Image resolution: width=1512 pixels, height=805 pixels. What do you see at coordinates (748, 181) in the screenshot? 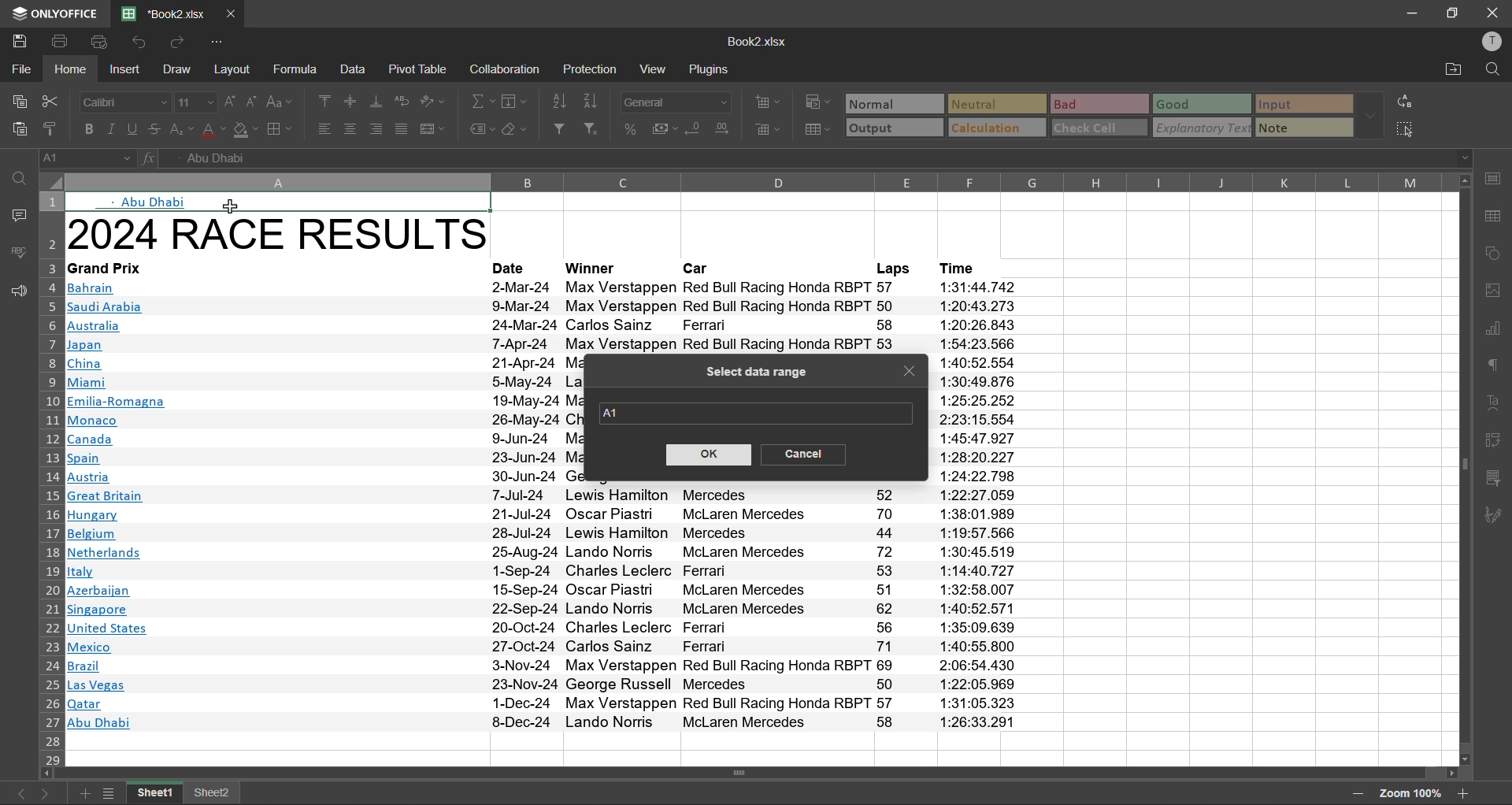
I see `column names` at bounding box center [748, 181].